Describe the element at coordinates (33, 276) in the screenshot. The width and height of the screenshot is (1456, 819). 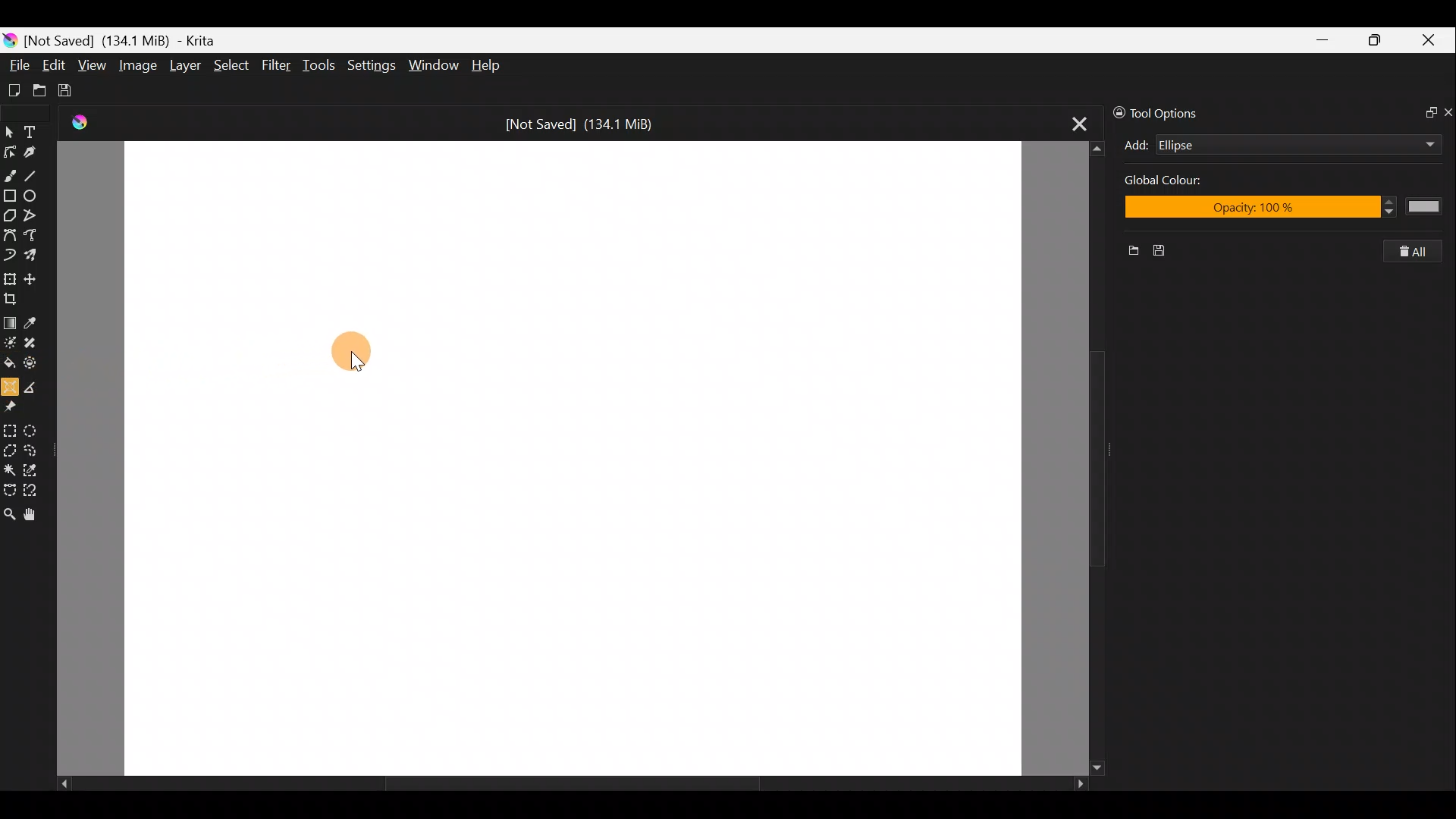
I see `Move a layer` at that location.